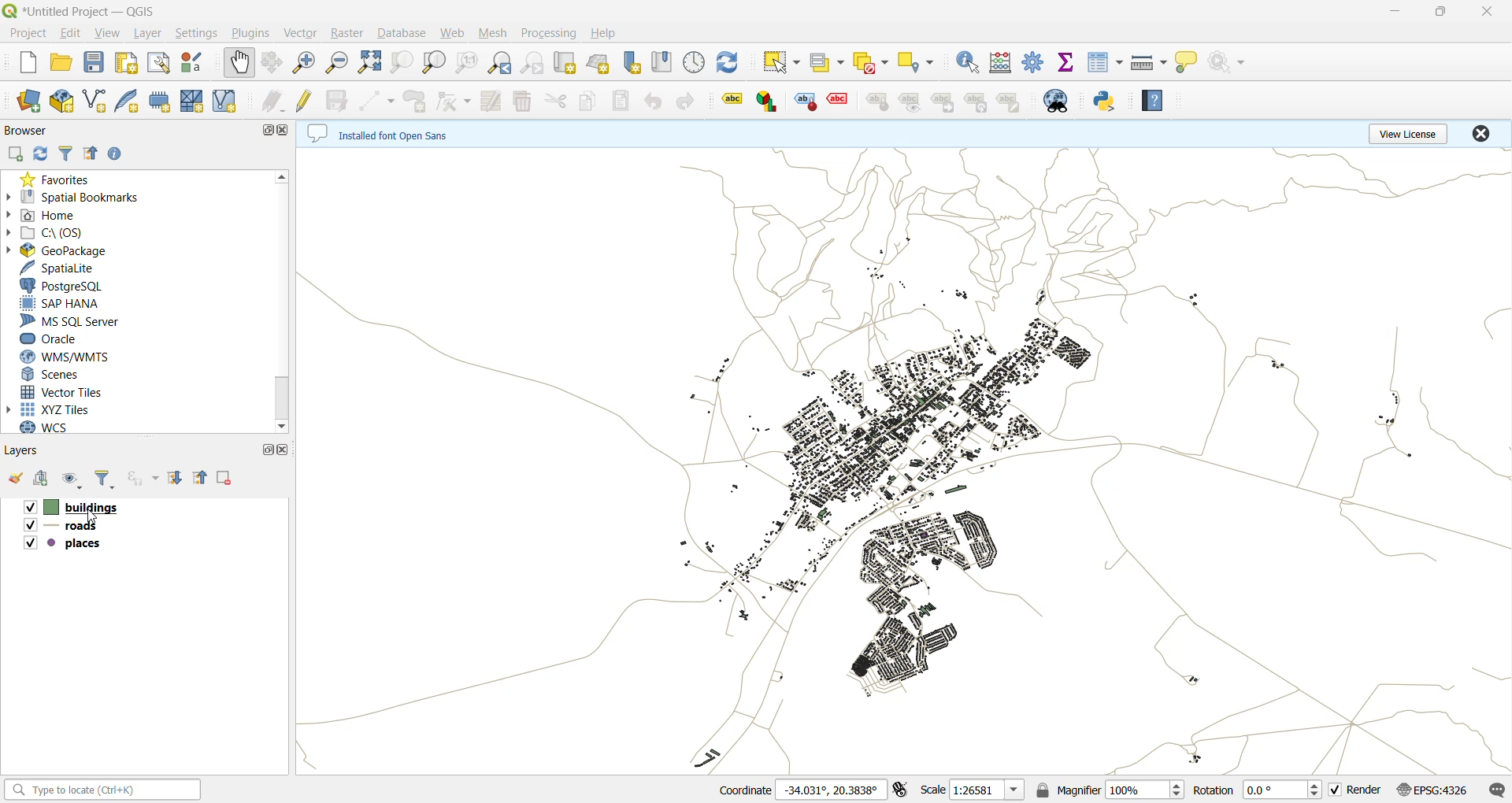  What do you see at coordinates (456, 100) in the screenshot?
I see `vertex tools` at bounding box center [456, 100].